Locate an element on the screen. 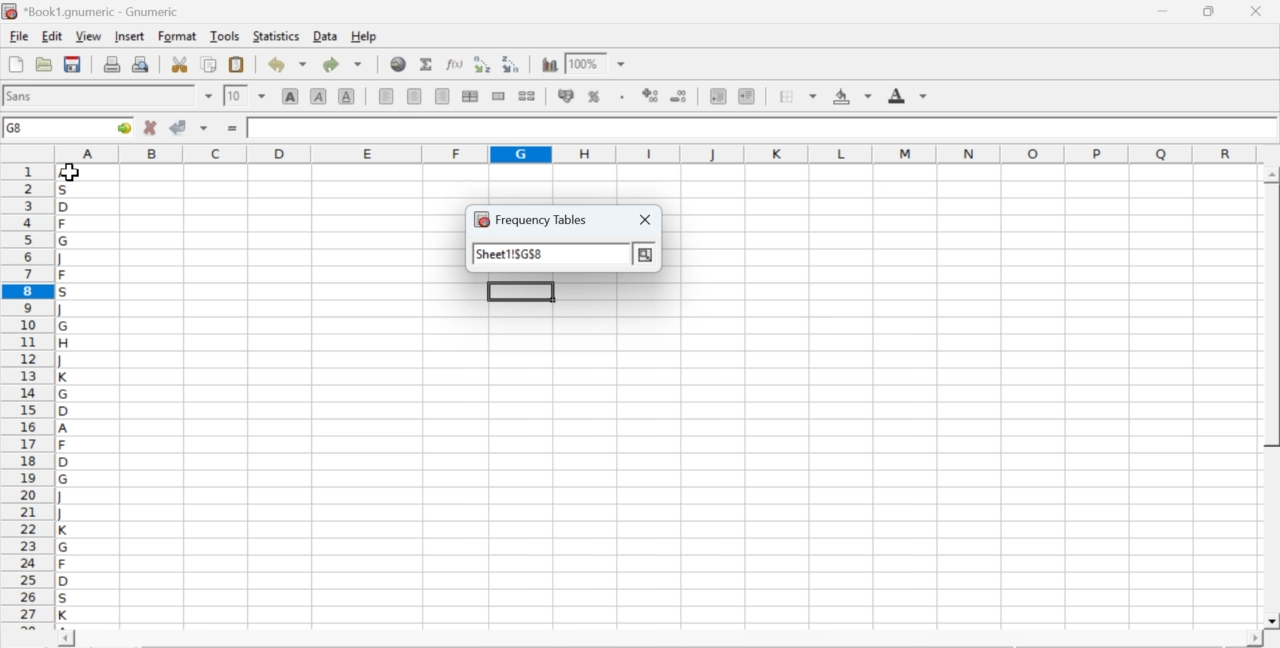  redo is located at coordinates (342, 64).